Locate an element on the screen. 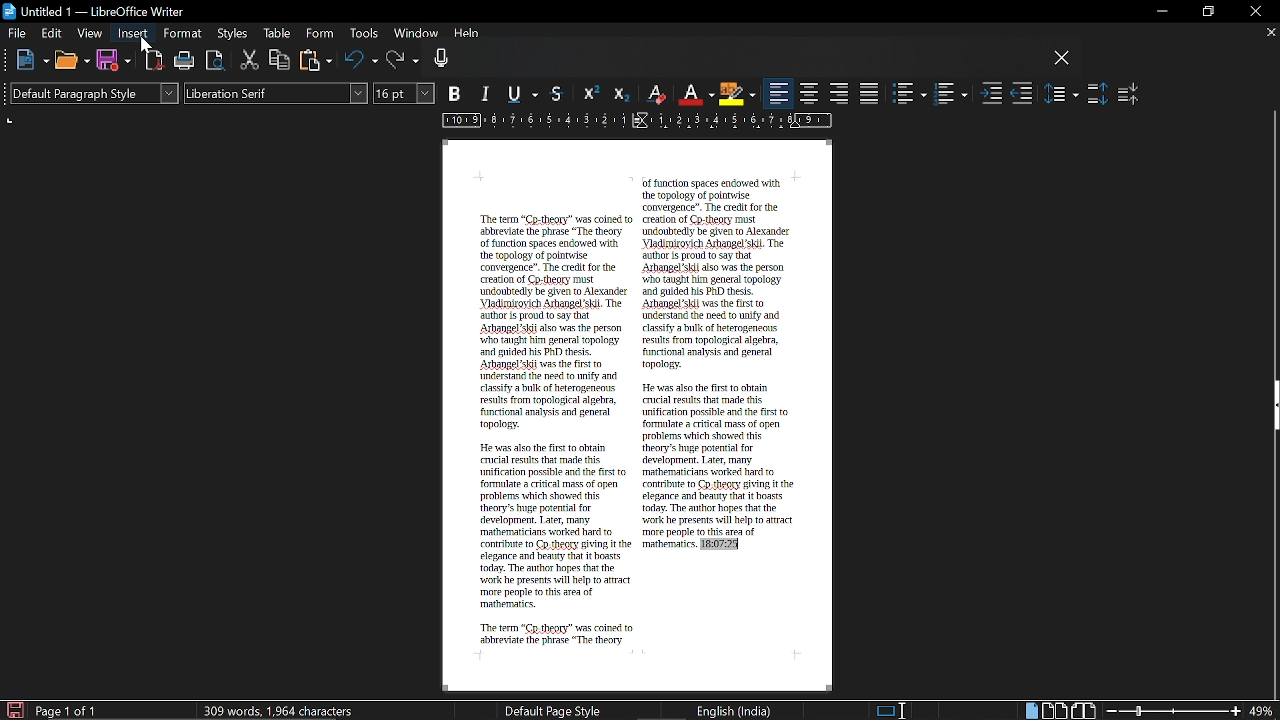 The height and width of the screenshot is (720, 1280). Double page view is located at coordinates (1056, 710).